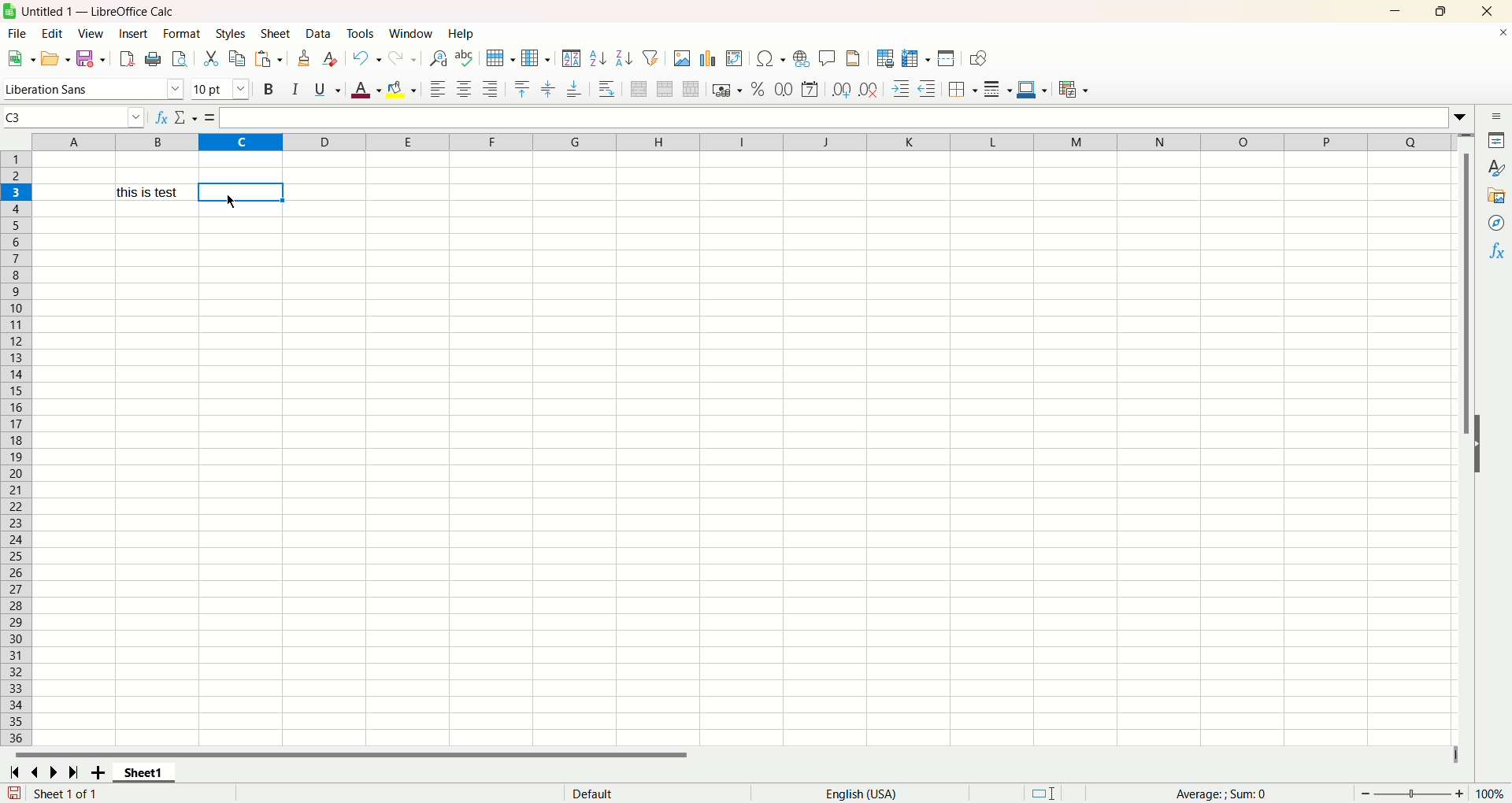 The width and height of the screenshot is (1512, 803). Describe the element at coordinates (266, 58) in the screenshot. I see `paste` at that location.